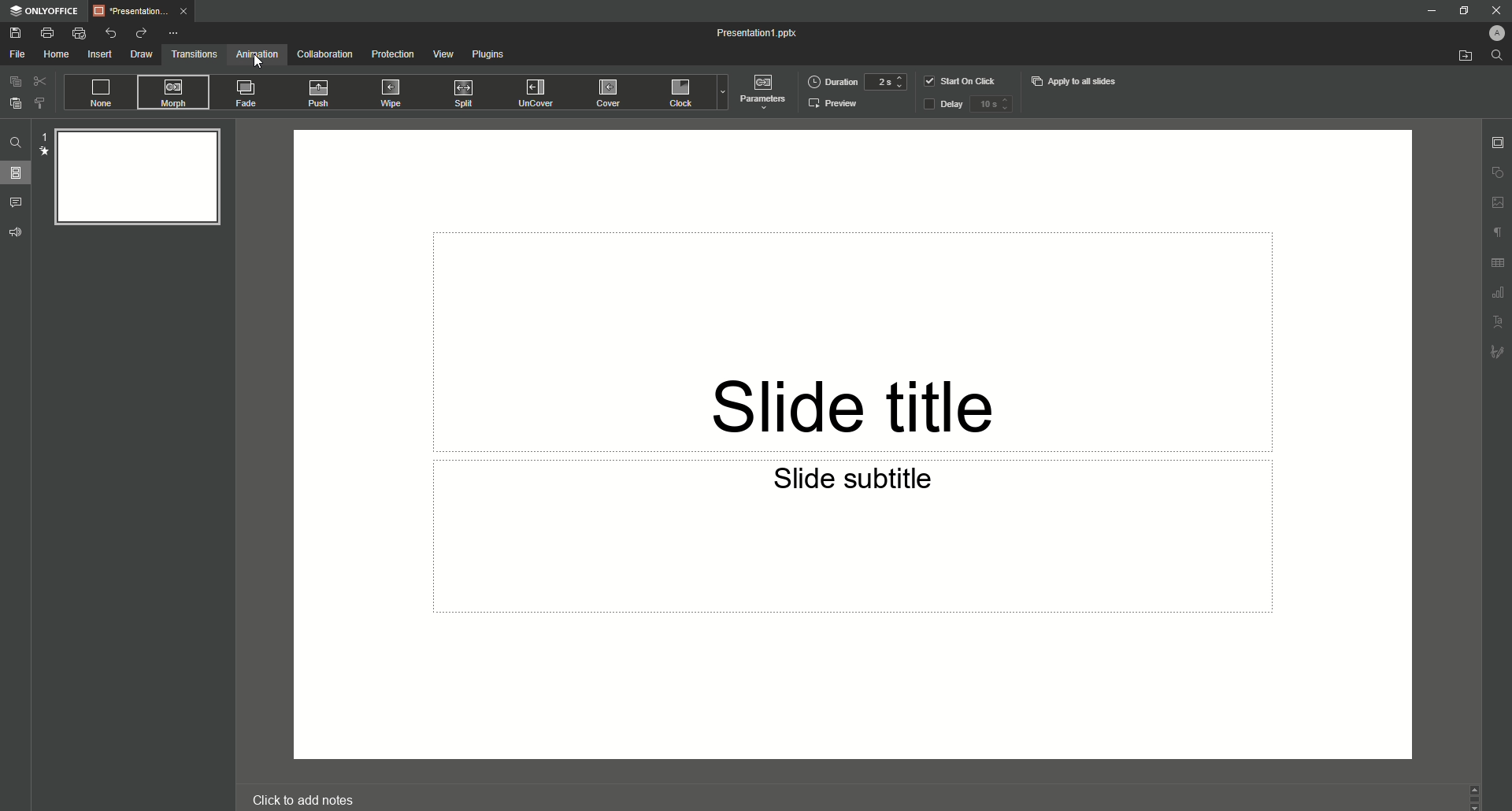 This screenshot has width=1512, height=811. Describe the element at coordinates (19, 55) in the screenshot. I see `File` at that location.